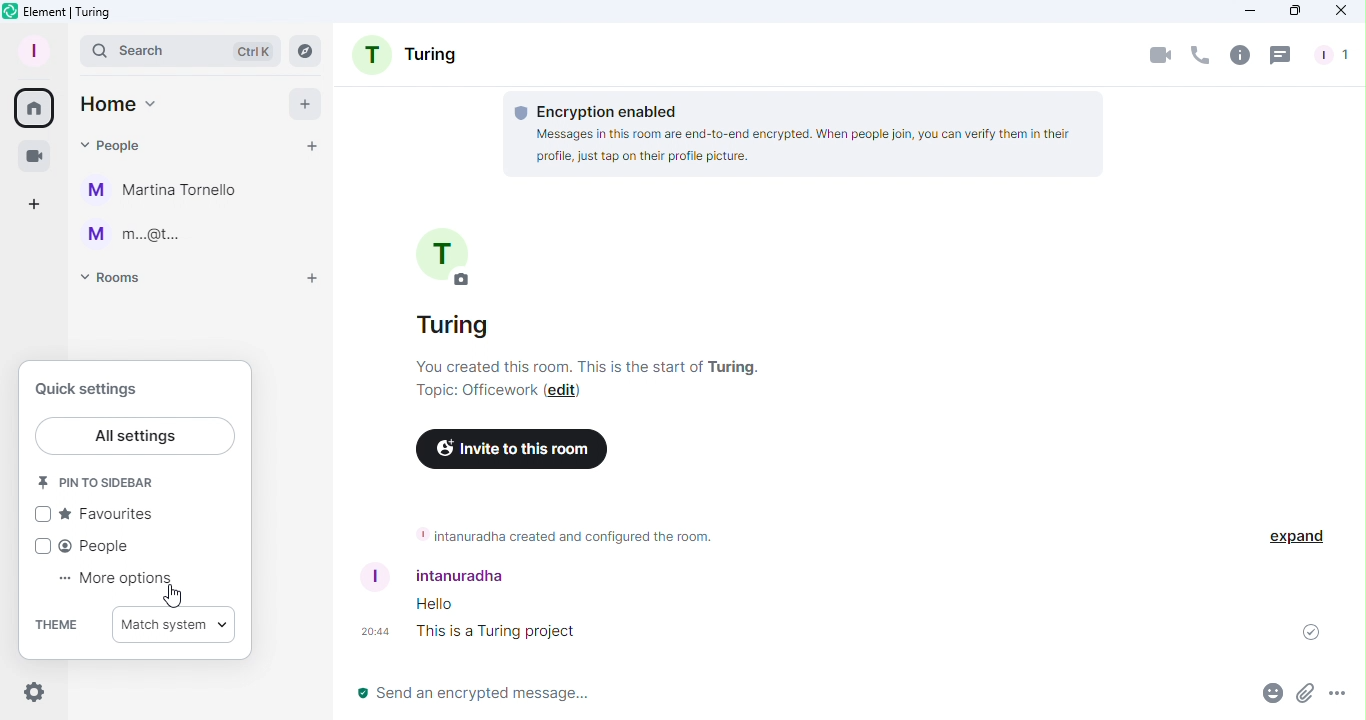  Describe the element at coordinates (1294, 537) in the screenshot. I see `Expand` at that location.